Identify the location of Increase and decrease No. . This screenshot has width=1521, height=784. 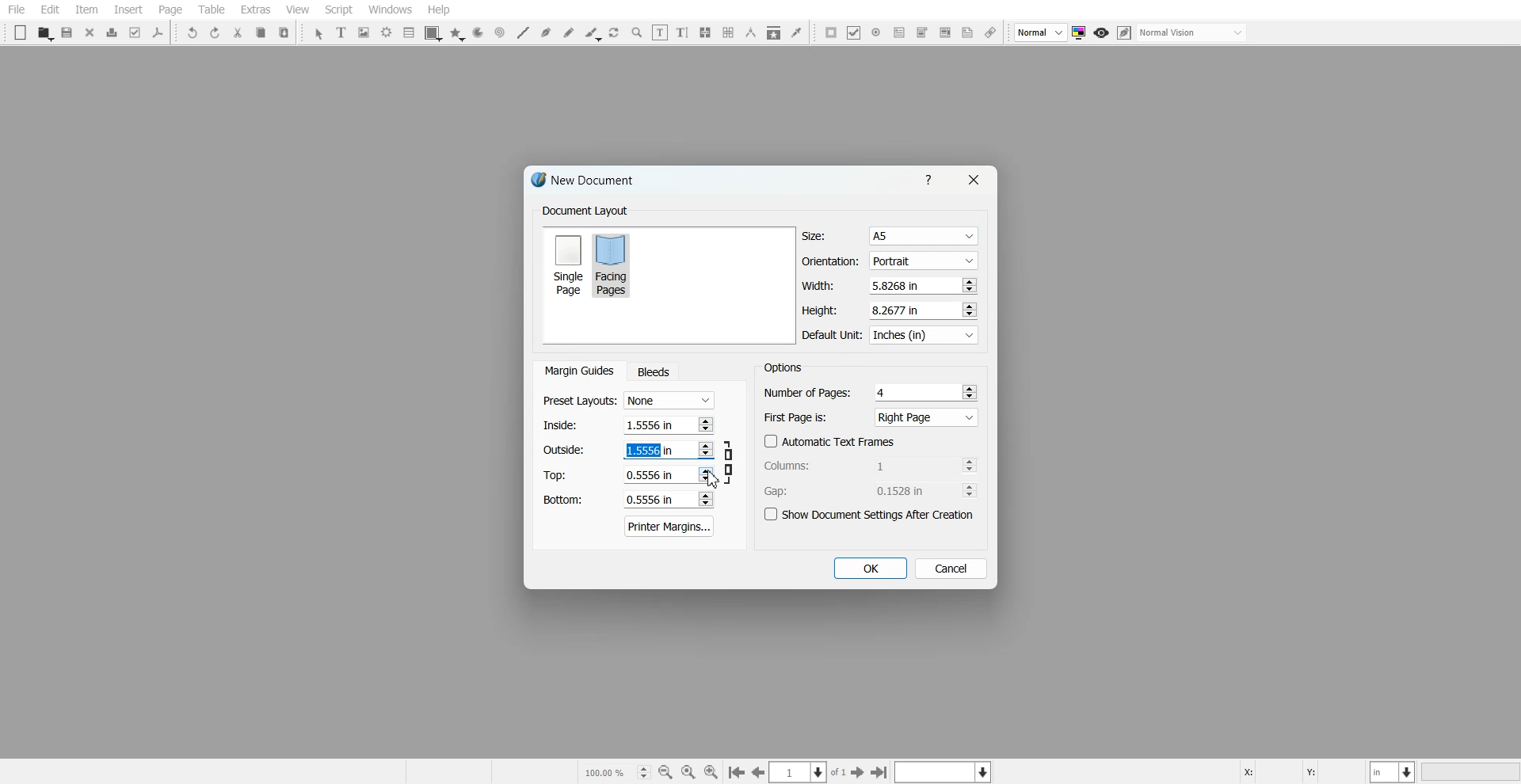
(706, 450).